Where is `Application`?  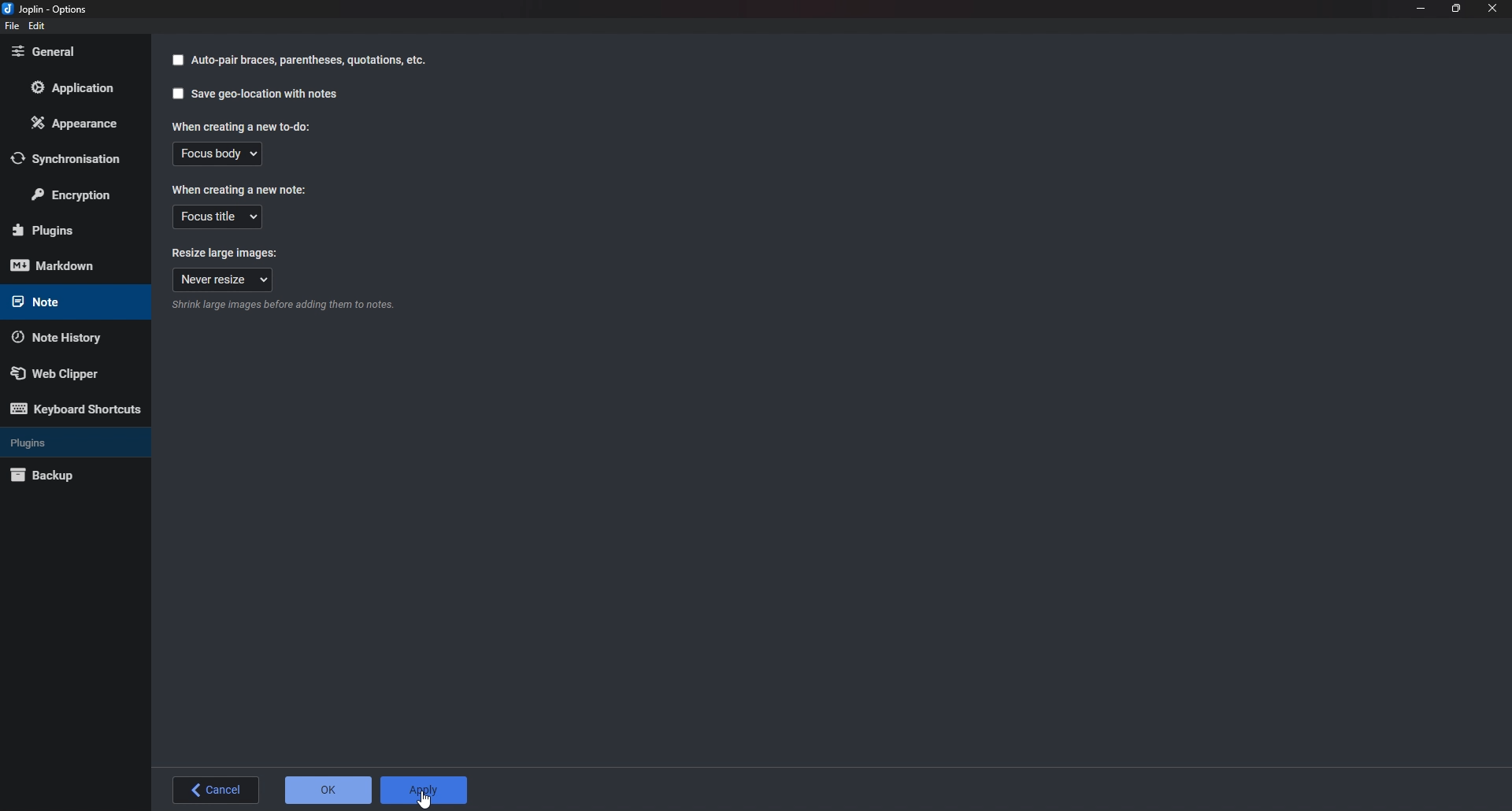
Application is located at coordinates (77, 87).